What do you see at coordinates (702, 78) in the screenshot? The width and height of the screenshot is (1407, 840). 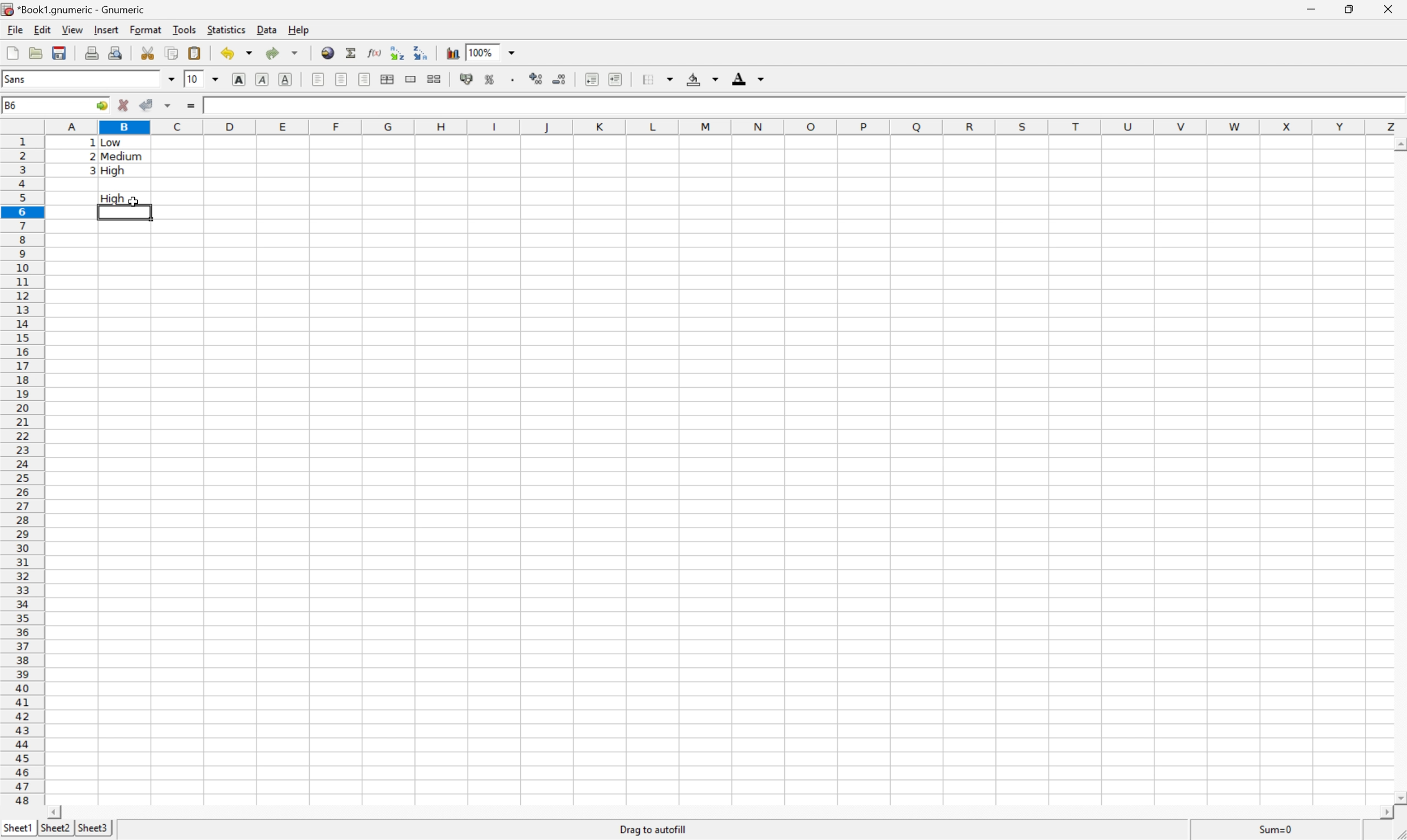 I see `Background` at bounding box center [702, 78].